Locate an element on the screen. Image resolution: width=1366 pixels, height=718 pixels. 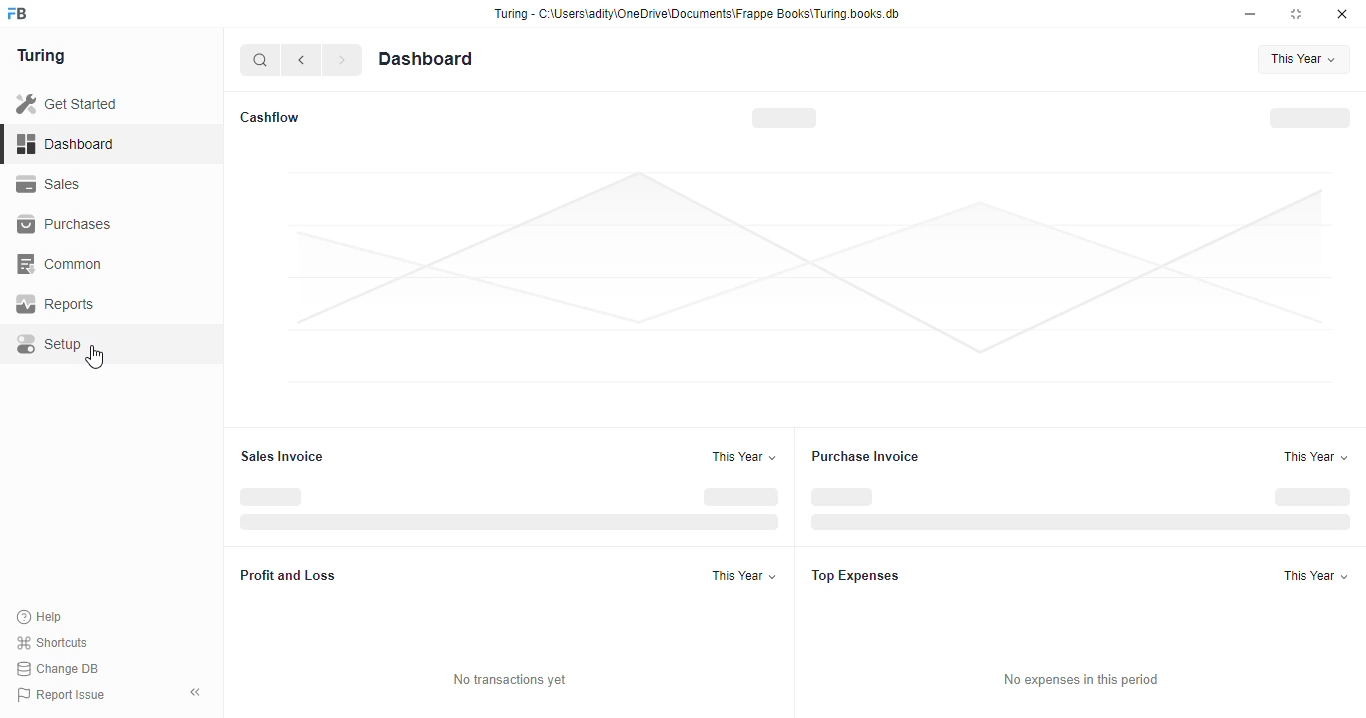
search is located at coordinates (261, 60).